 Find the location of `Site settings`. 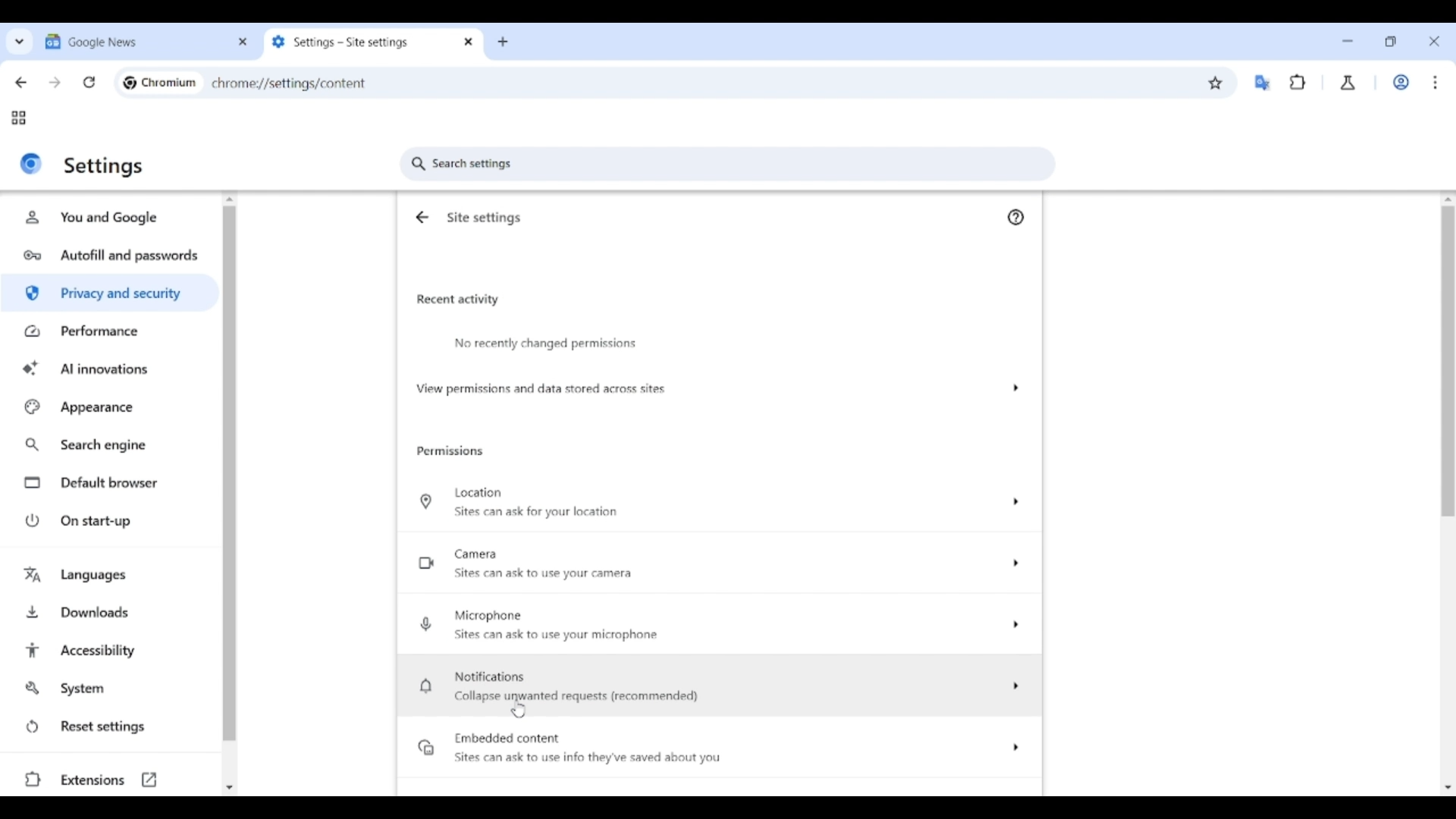

Site settings is located at coordinates (485, 218).